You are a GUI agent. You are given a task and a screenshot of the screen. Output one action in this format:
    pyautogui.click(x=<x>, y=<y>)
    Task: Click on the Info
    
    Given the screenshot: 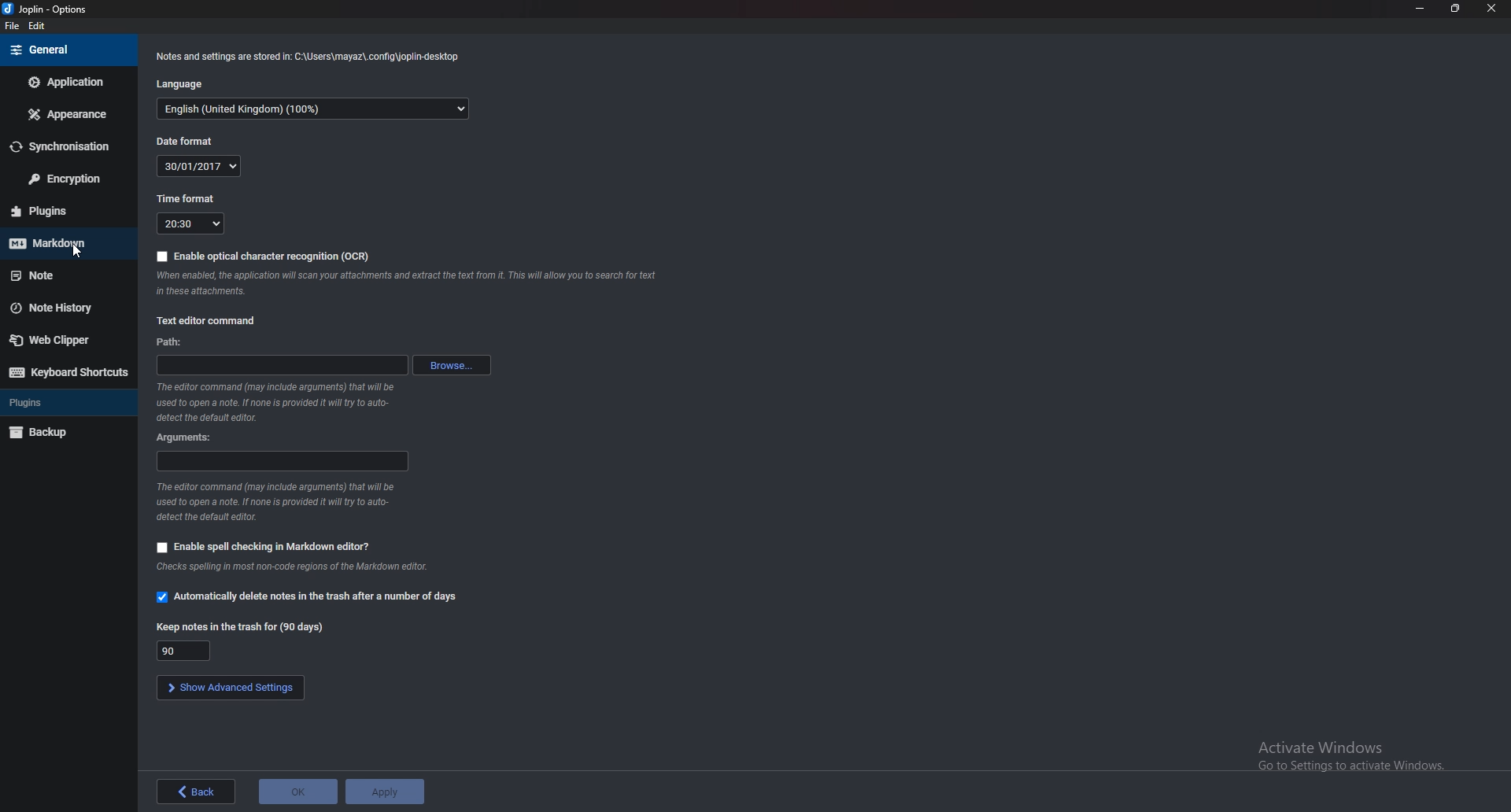 What is the action you would take?
    pyautogui.click(x=293, y=567)
    